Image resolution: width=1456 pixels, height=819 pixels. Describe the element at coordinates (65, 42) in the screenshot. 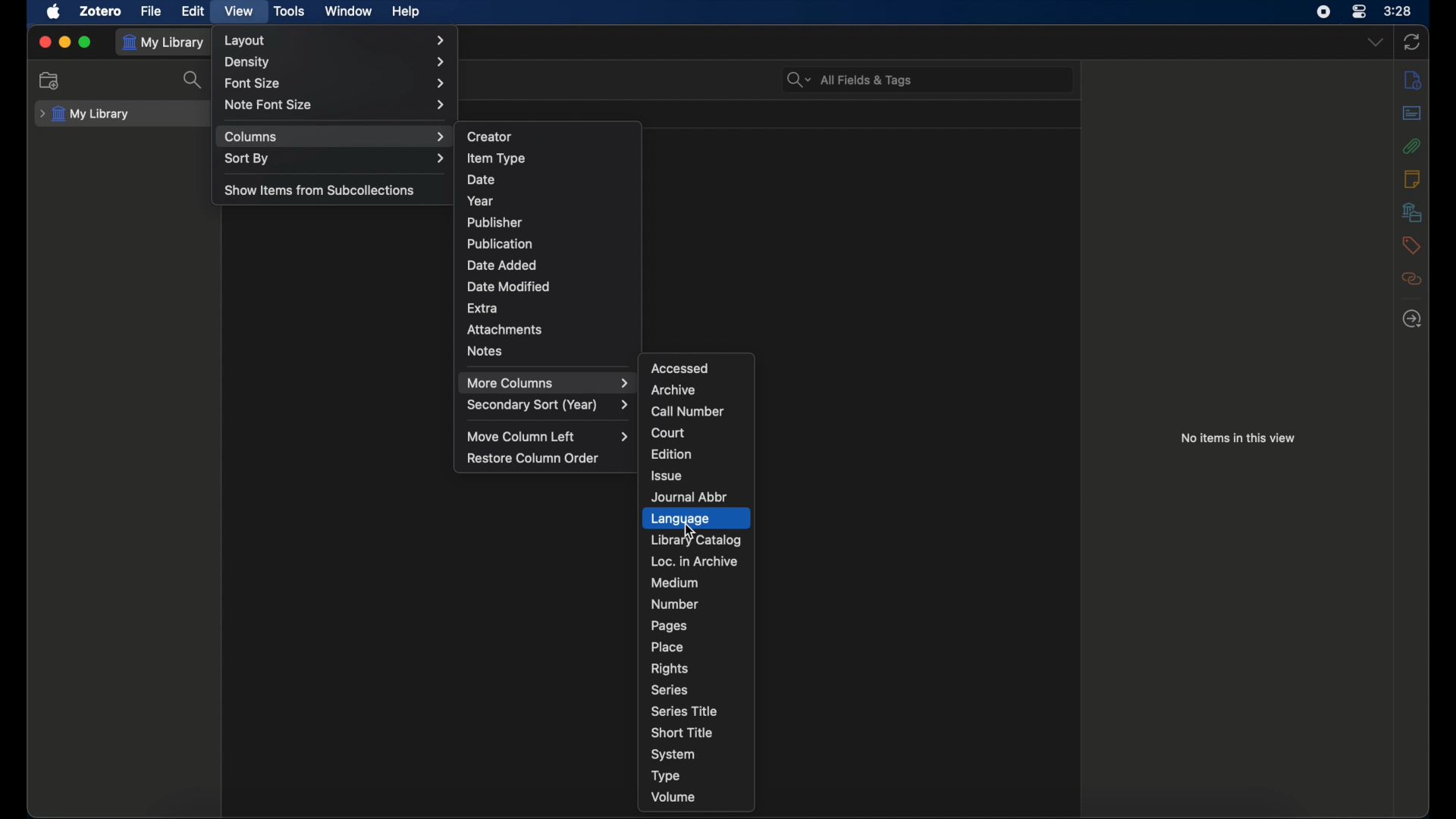

I see `minimize` at that location.